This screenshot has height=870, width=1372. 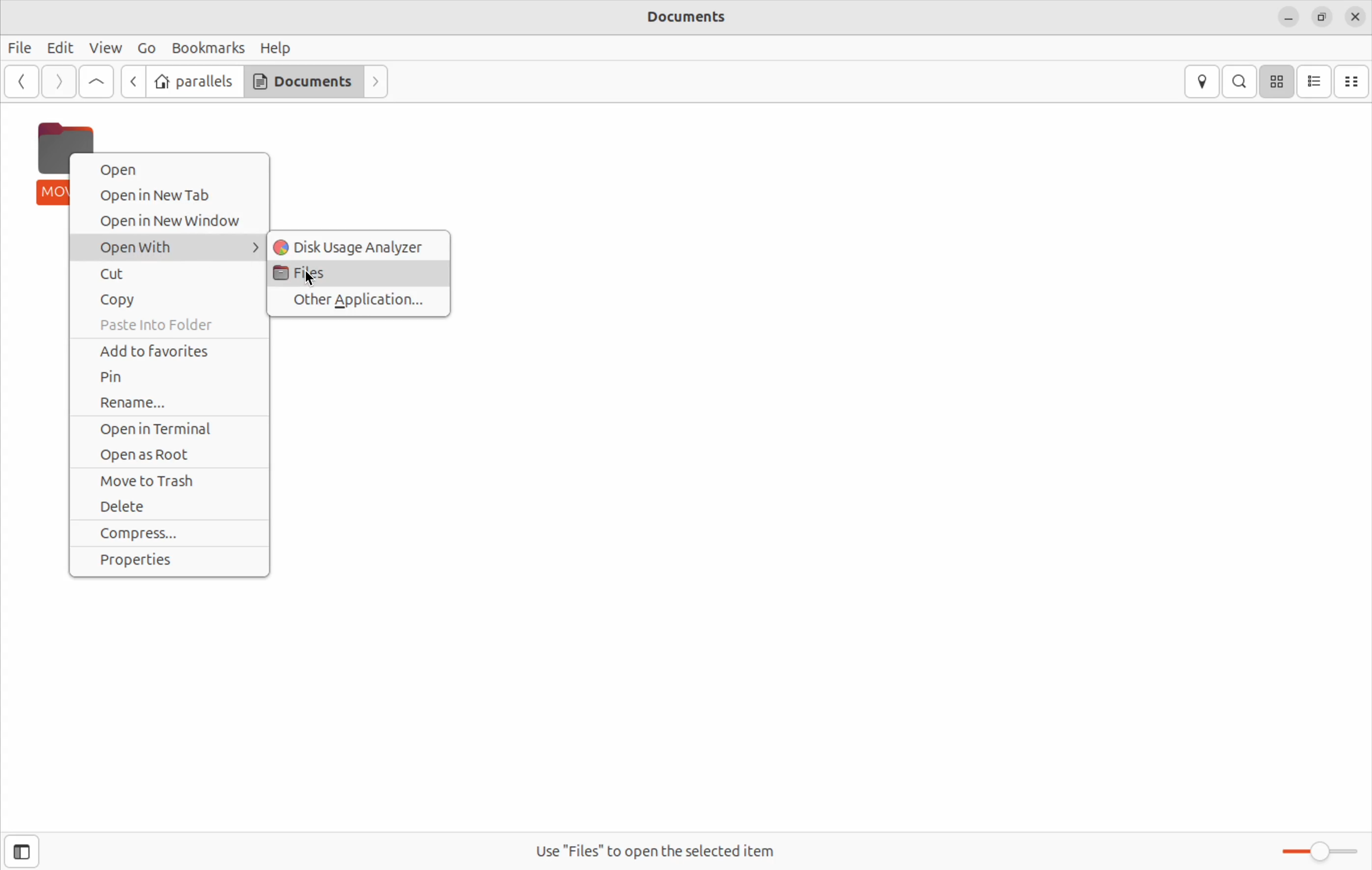 I want to click on Documents, so click(x=305, y=80).